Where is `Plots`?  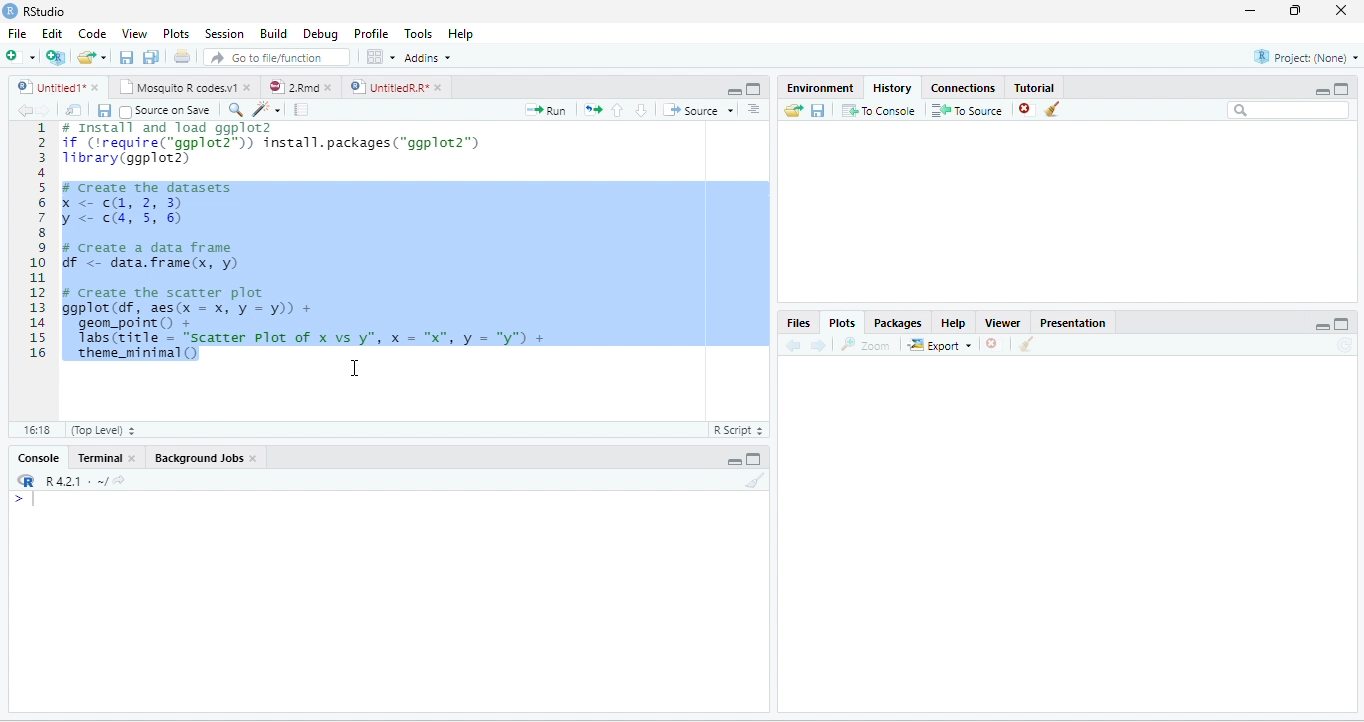
Plots is located at coordinates (842, 321).